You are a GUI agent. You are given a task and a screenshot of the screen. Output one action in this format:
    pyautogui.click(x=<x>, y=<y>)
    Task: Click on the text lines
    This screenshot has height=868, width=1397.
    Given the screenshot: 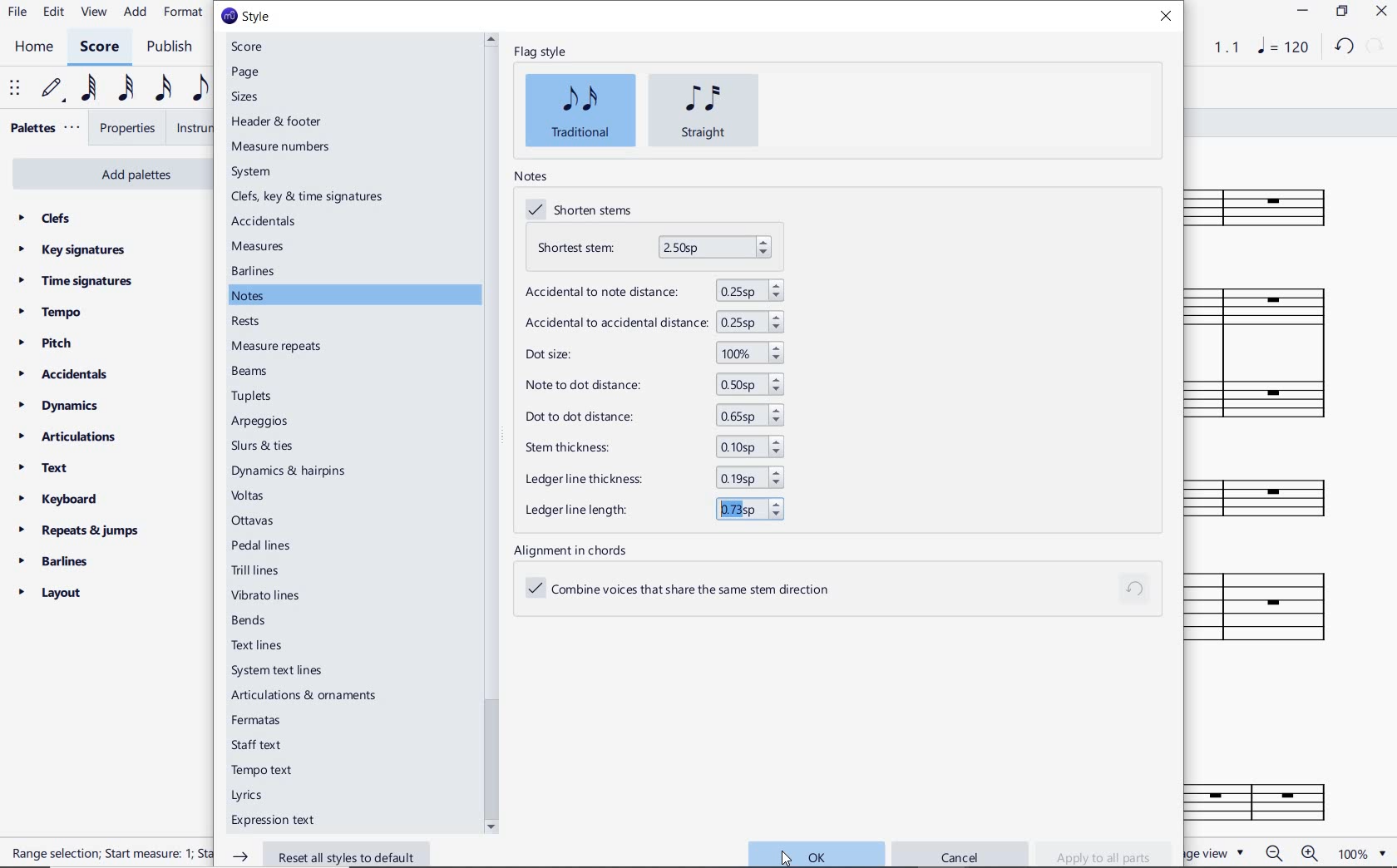 What is the action you would take?
    pyautogui.click(x=256, y=644)
    